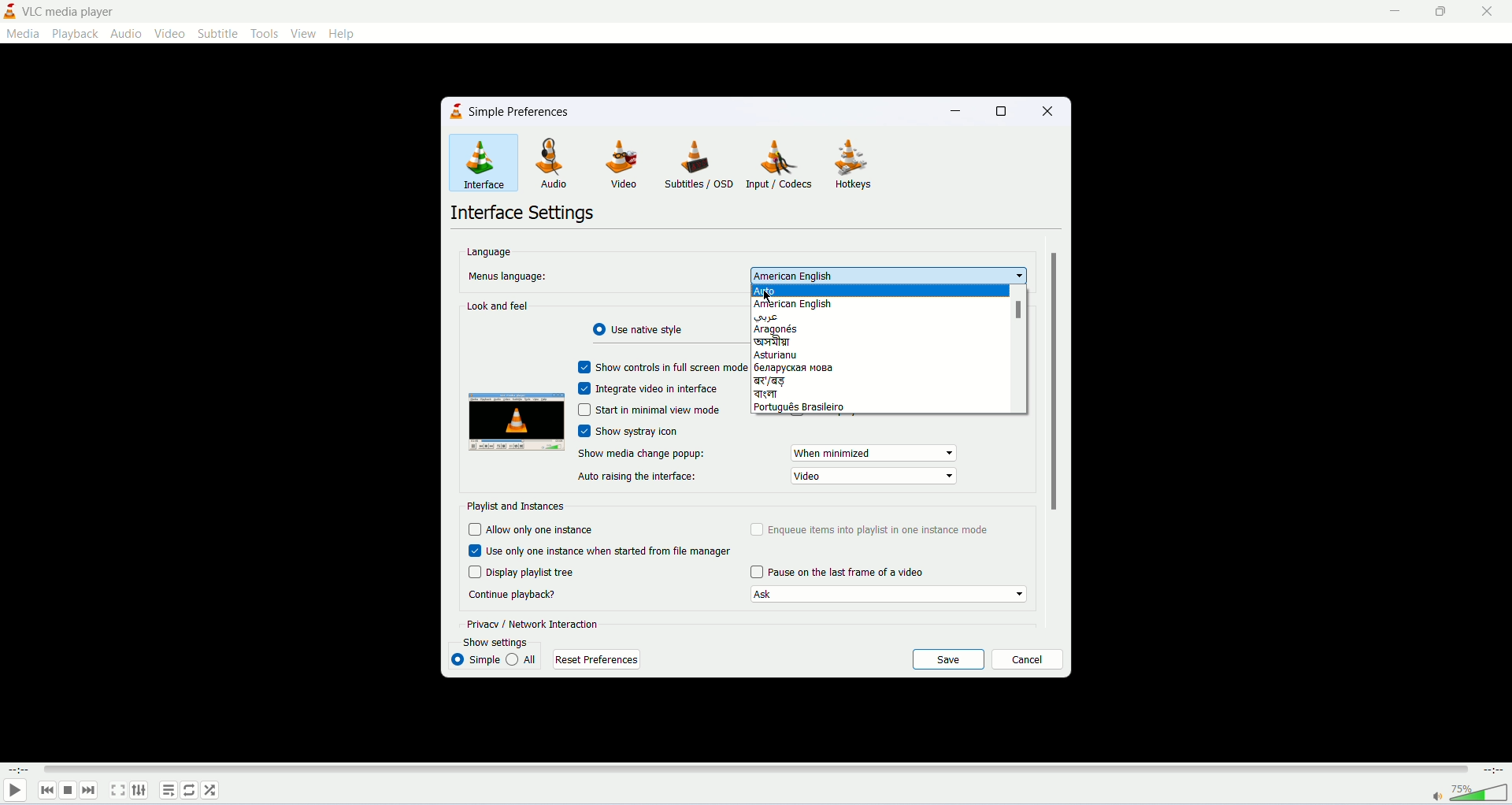 The height and width of the screenshot is (805, 1512). Describe the element at coordinates (526, 572) in the screenshot. I see `display playlist tree` at that location.